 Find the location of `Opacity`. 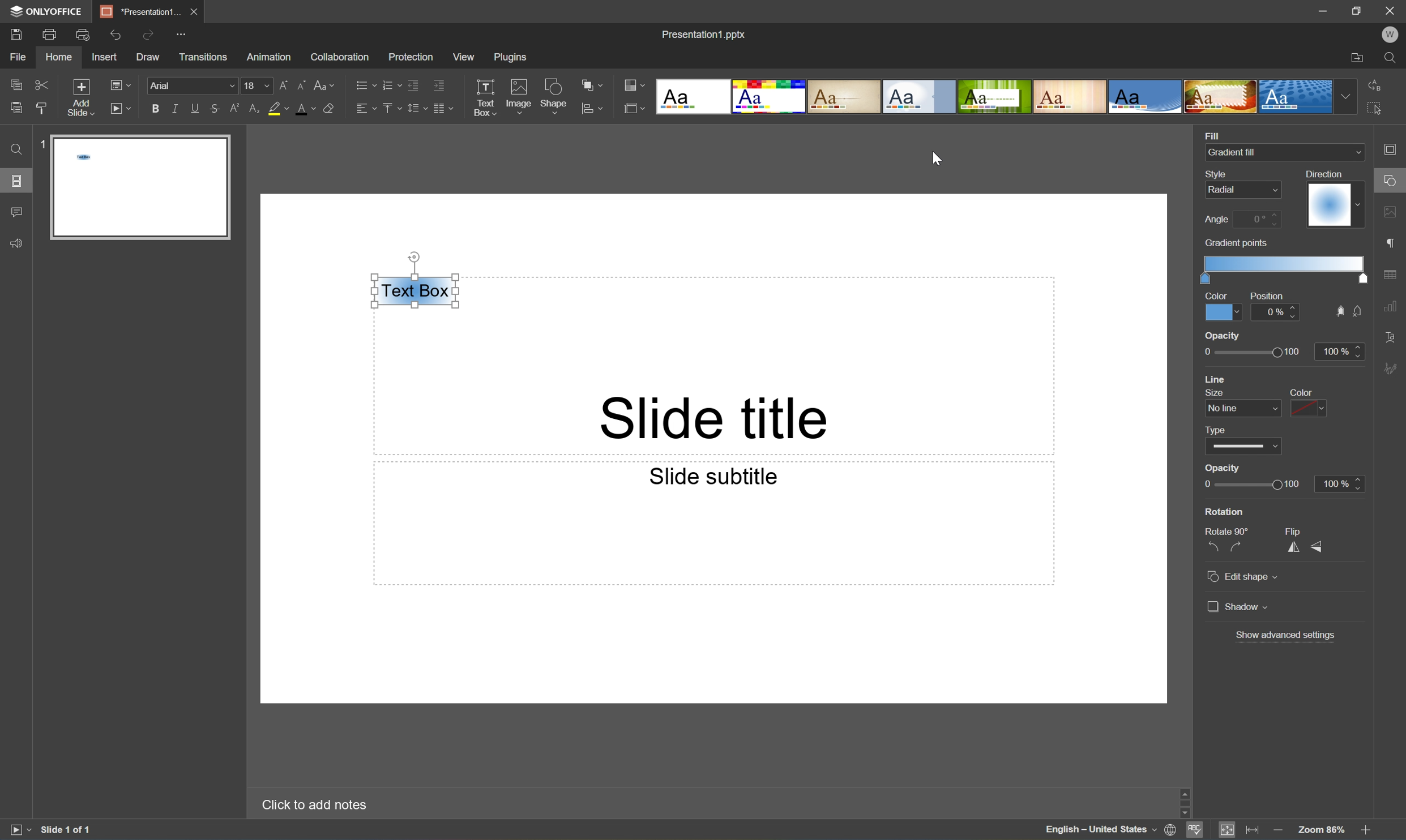

Opacity is located at coordinates (1221, 468).